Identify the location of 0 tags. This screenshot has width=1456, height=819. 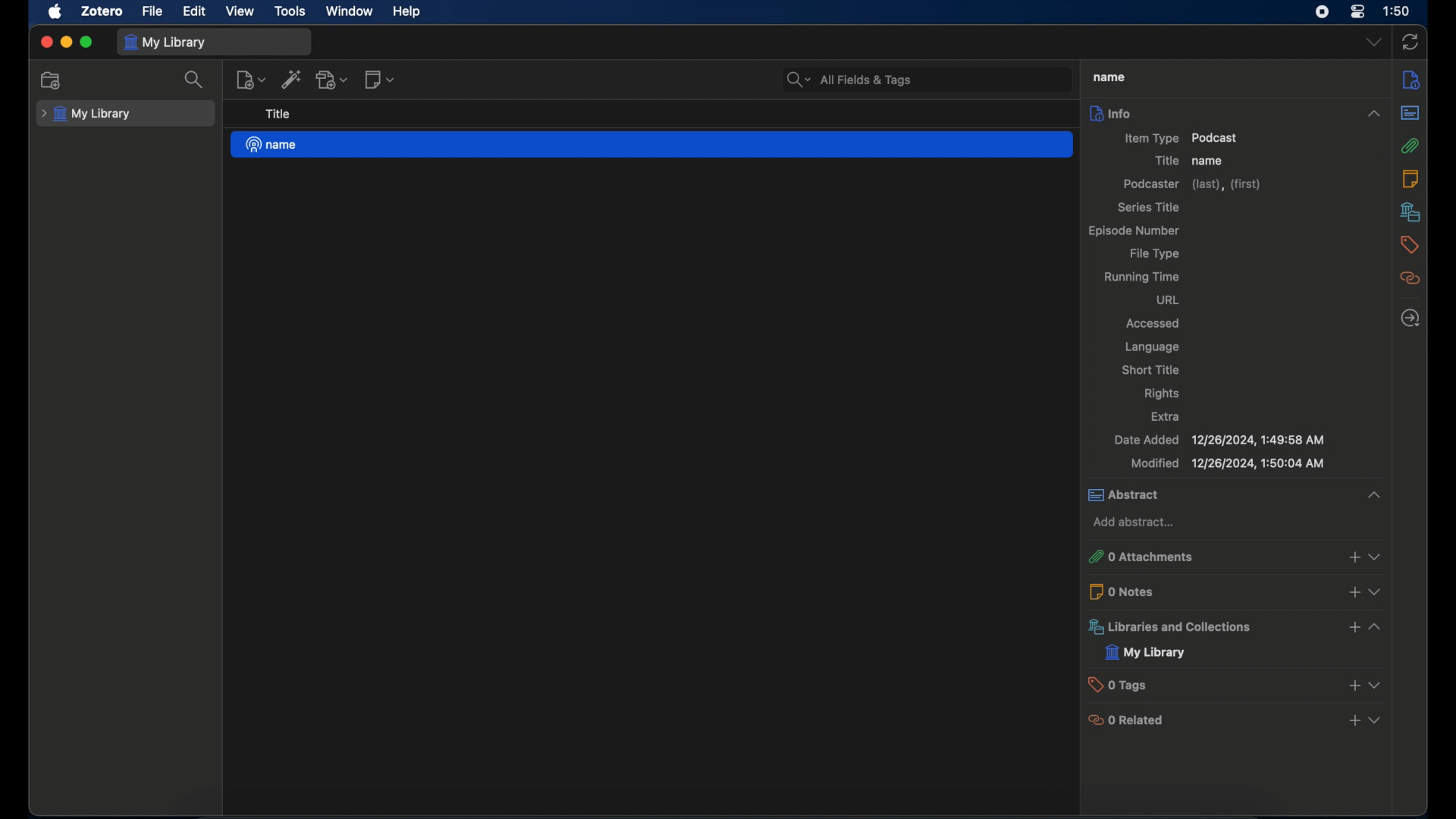
(1238, 684).